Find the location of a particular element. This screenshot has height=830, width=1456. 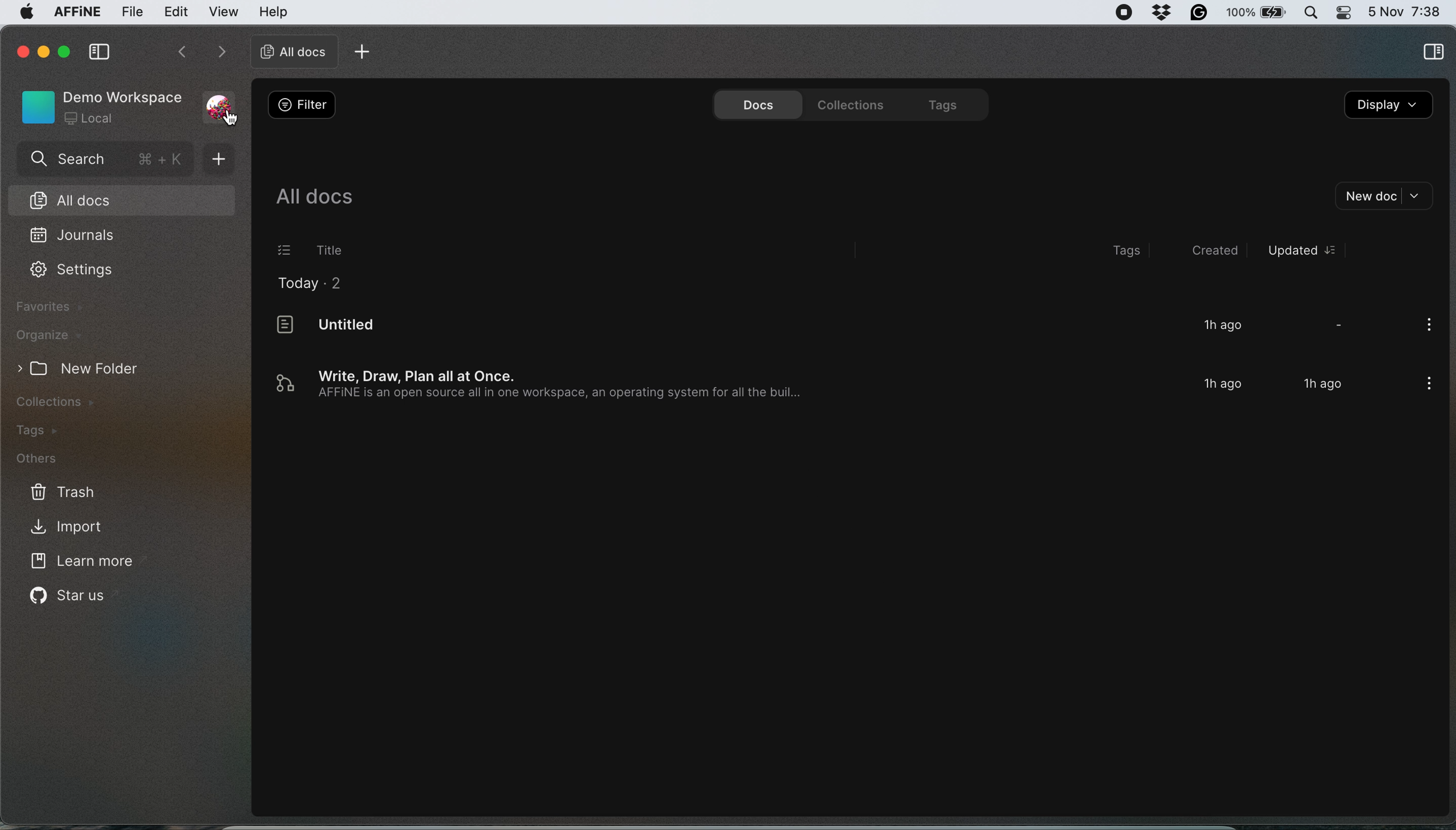

system logo is located at coordinates (26, 15).